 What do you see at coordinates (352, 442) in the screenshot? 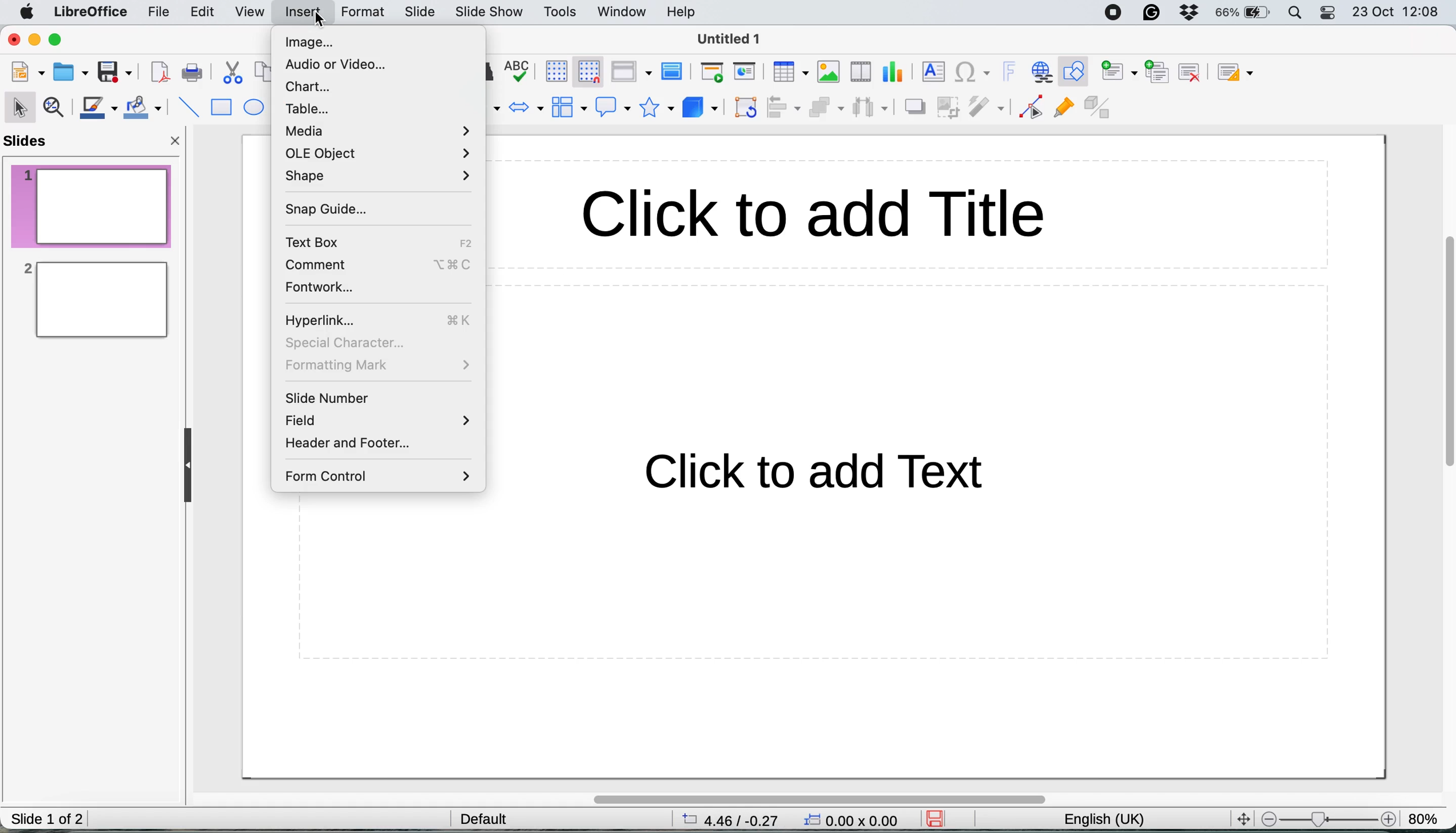
I see `header and footer` at bounding box center [352, 442].